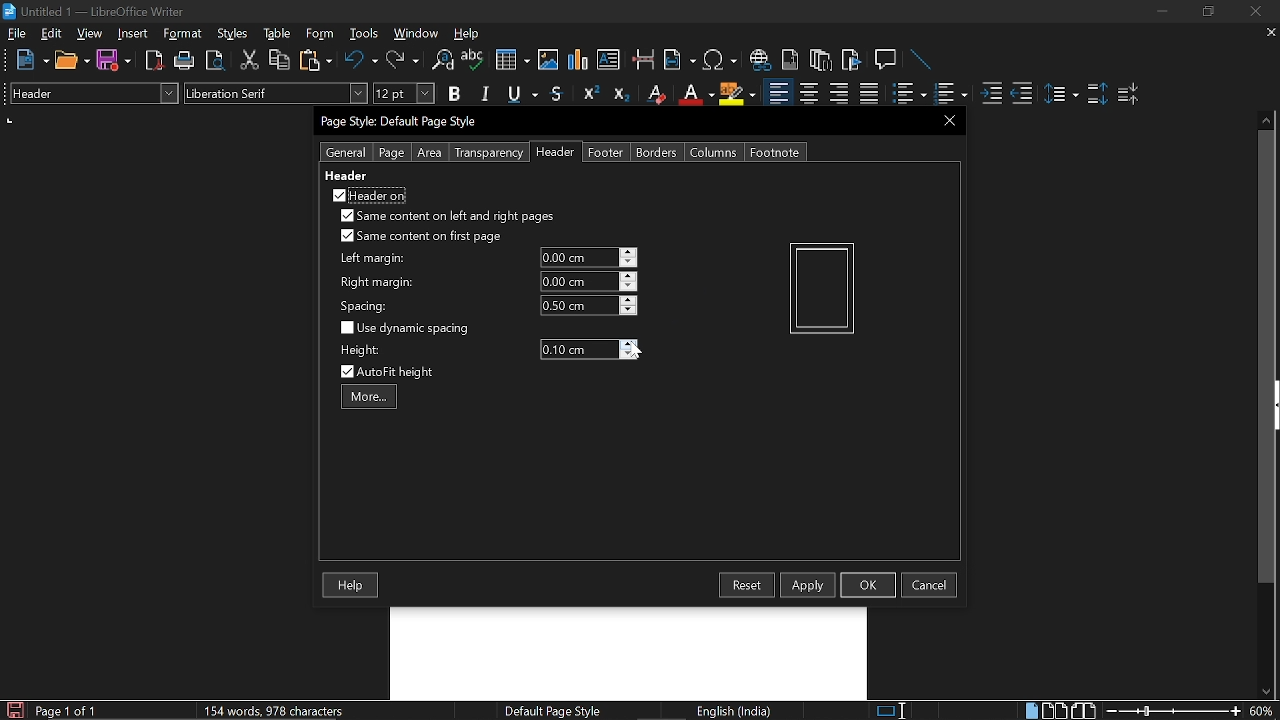 This screenshot has height=720, width=1280. I want to click on current page Current page, so click(65, 710).